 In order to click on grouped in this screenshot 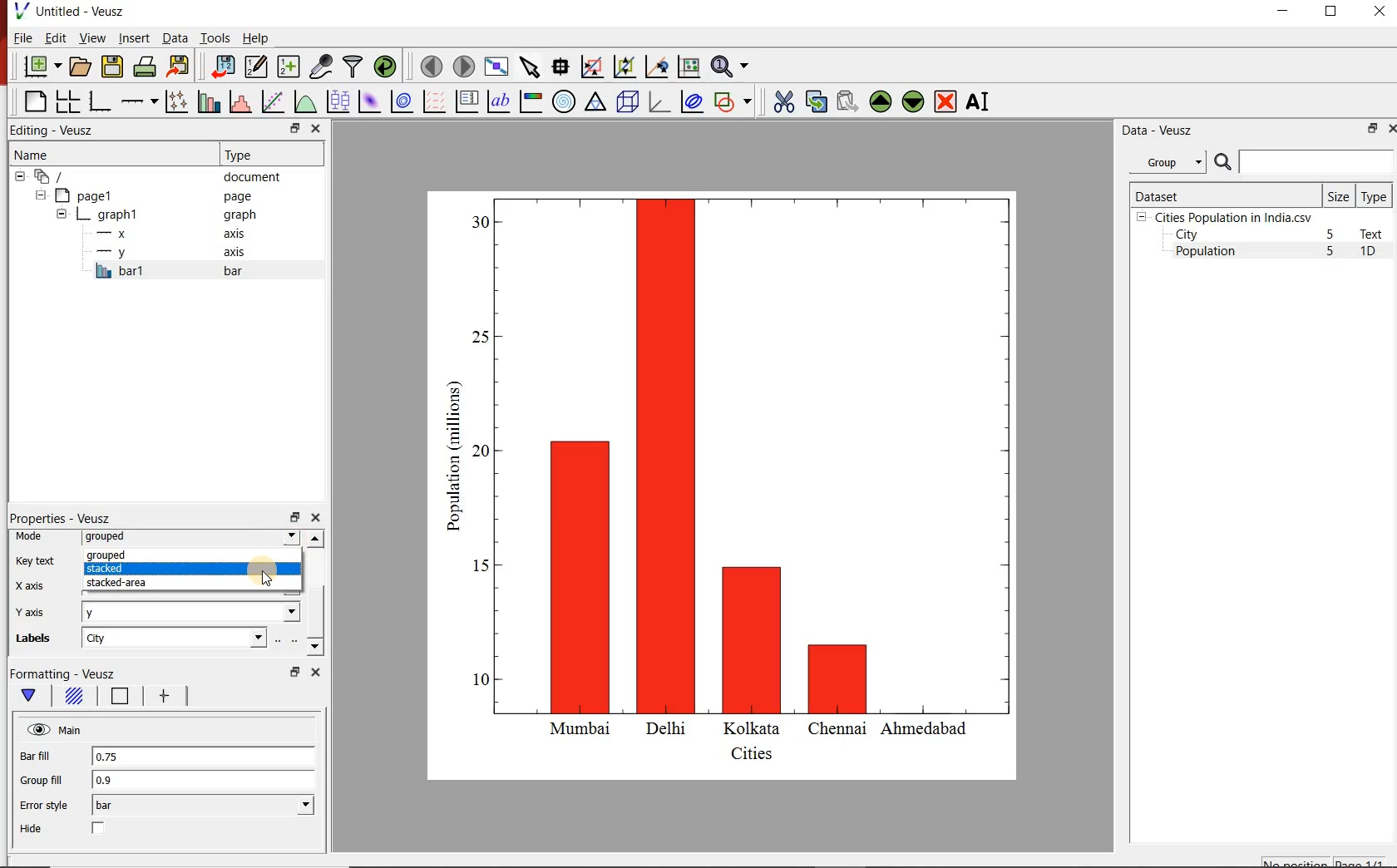, I will do `click(190, 538)`.